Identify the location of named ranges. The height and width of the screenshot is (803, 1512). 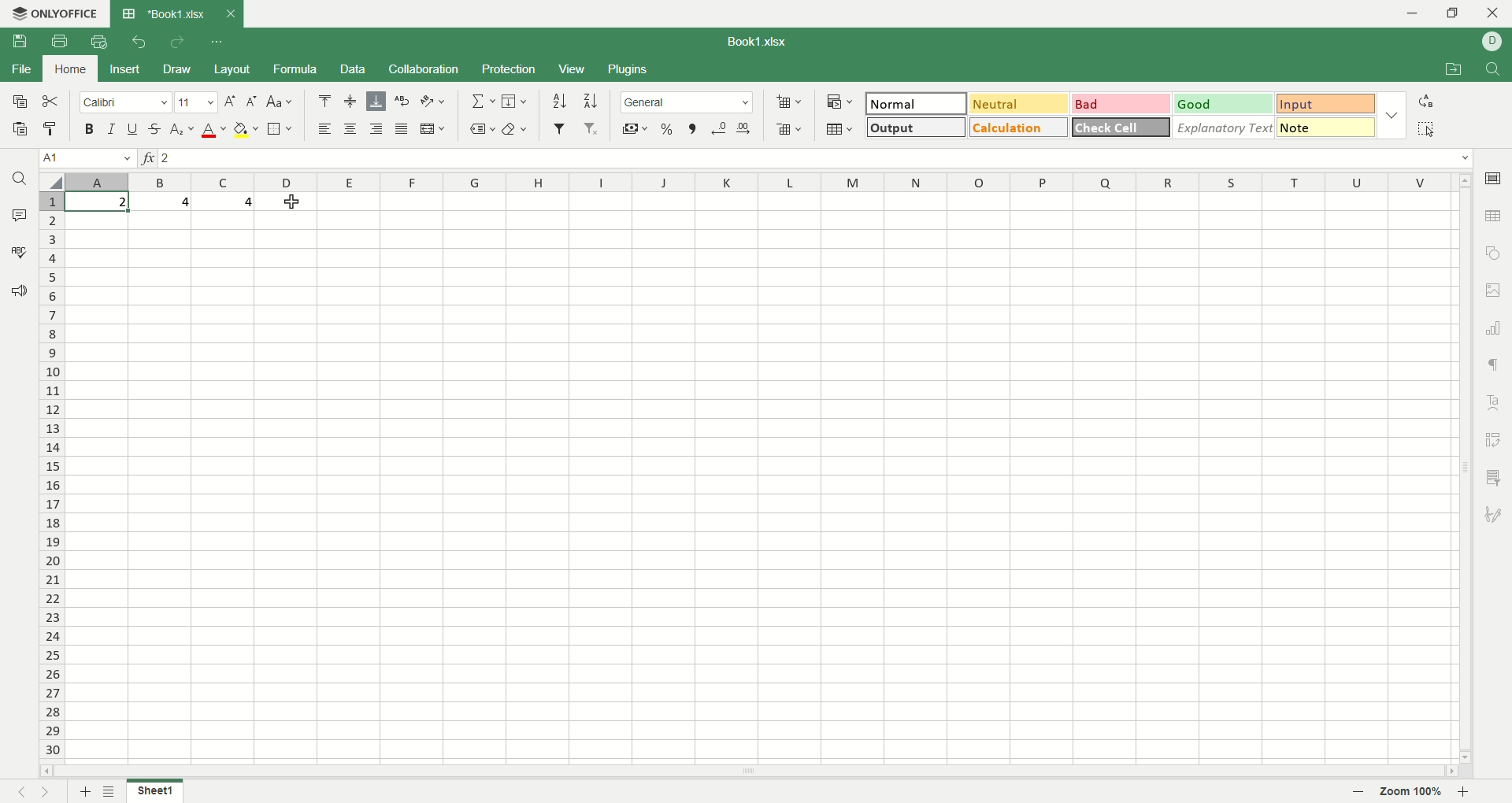
(480, 128).